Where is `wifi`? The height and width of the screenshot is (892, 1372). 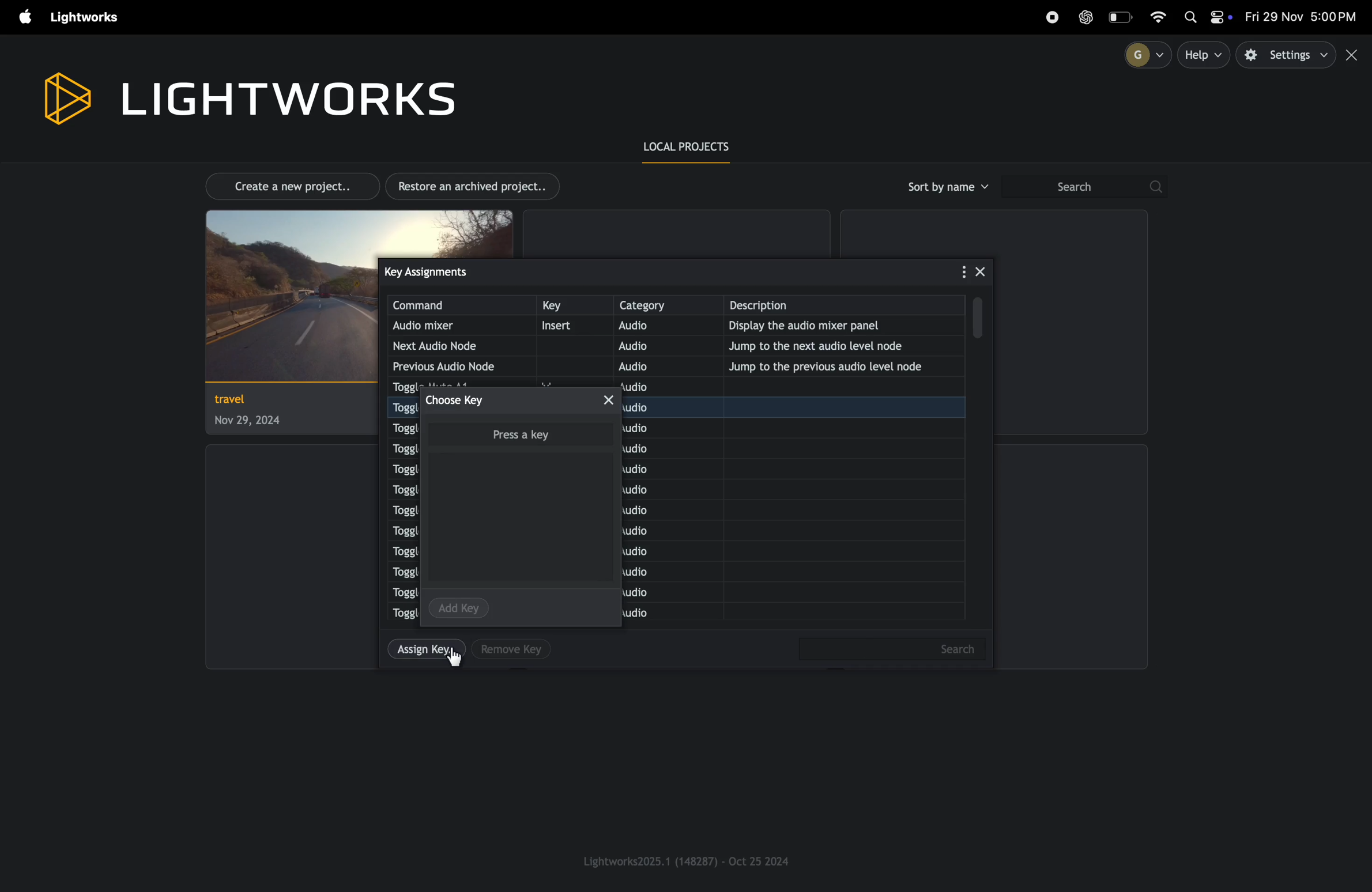 wifi is located at coordinates (1164, 16).